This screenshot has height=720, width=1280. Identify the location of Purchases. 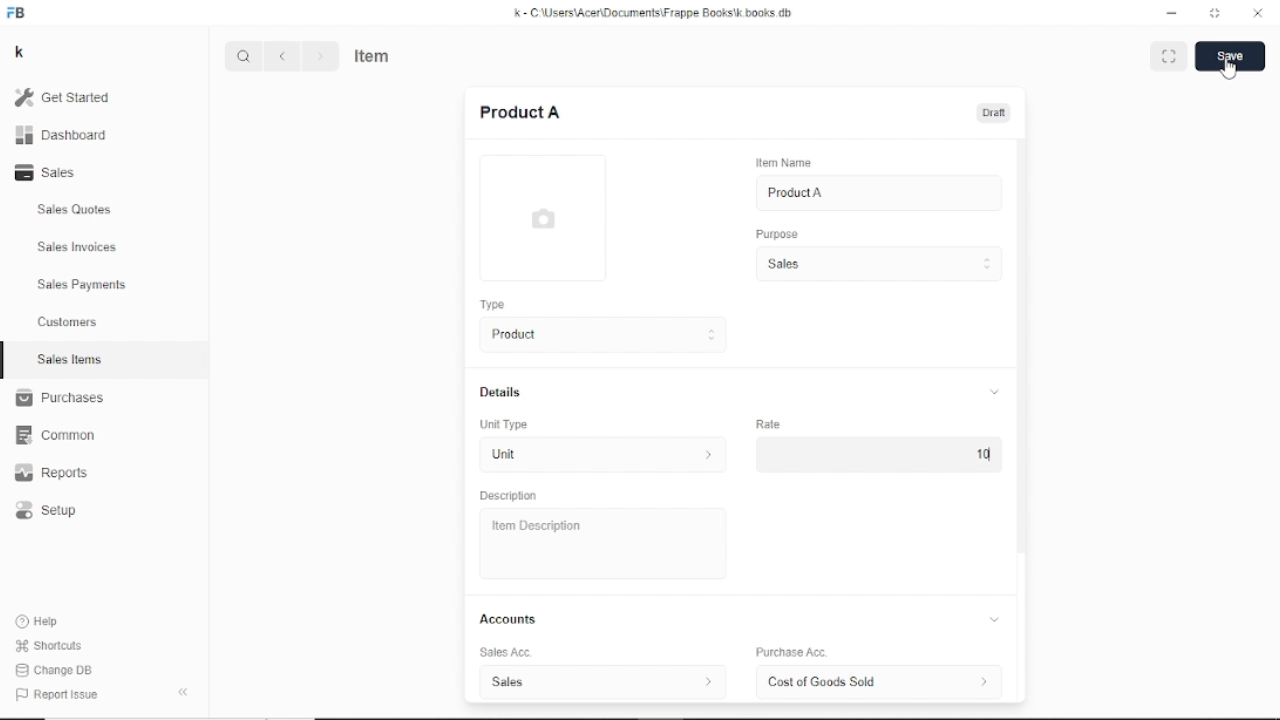
(59, 397).